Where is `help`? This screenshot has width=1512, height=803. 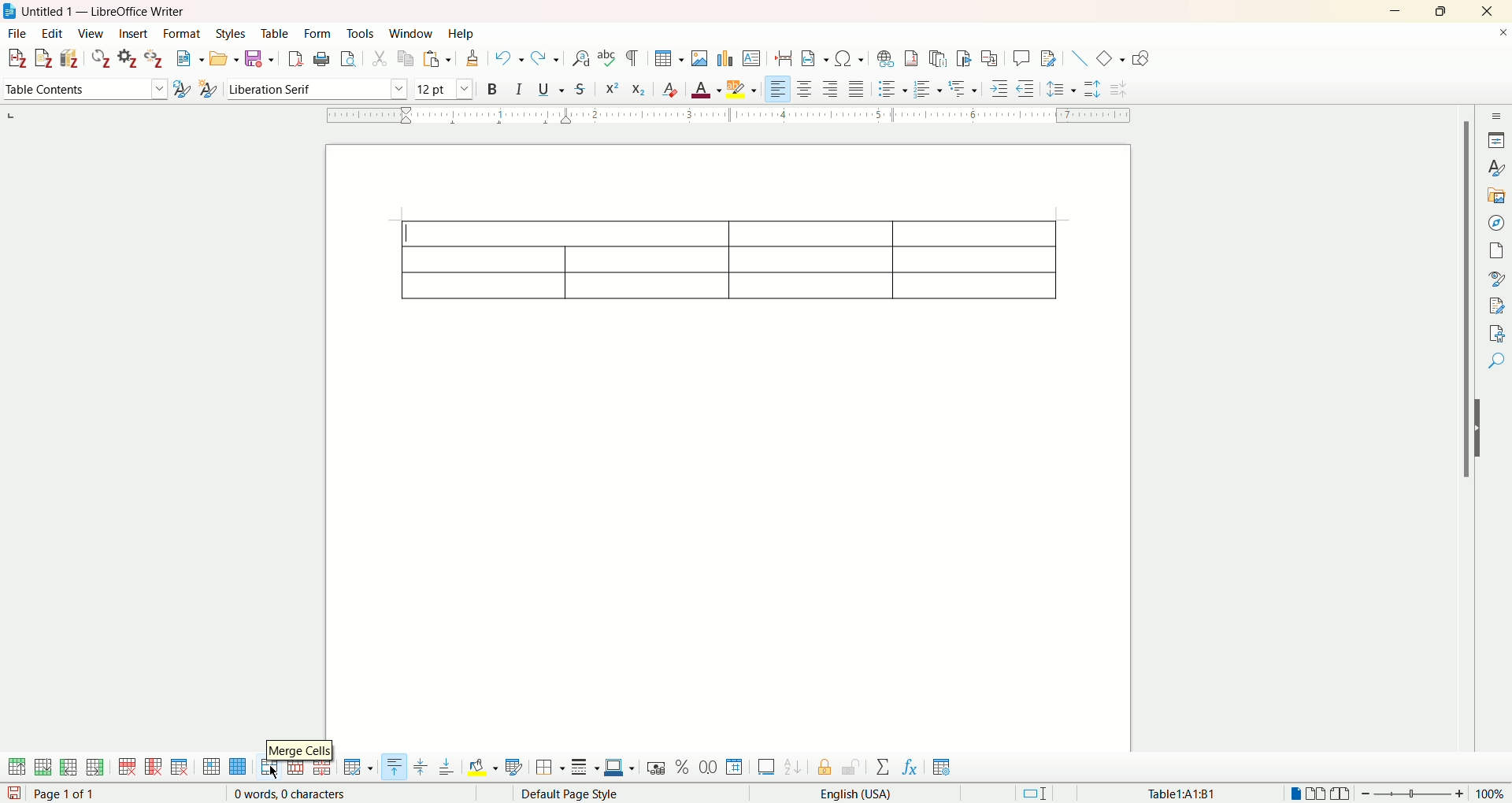
help is located at coordinates (458, 31).